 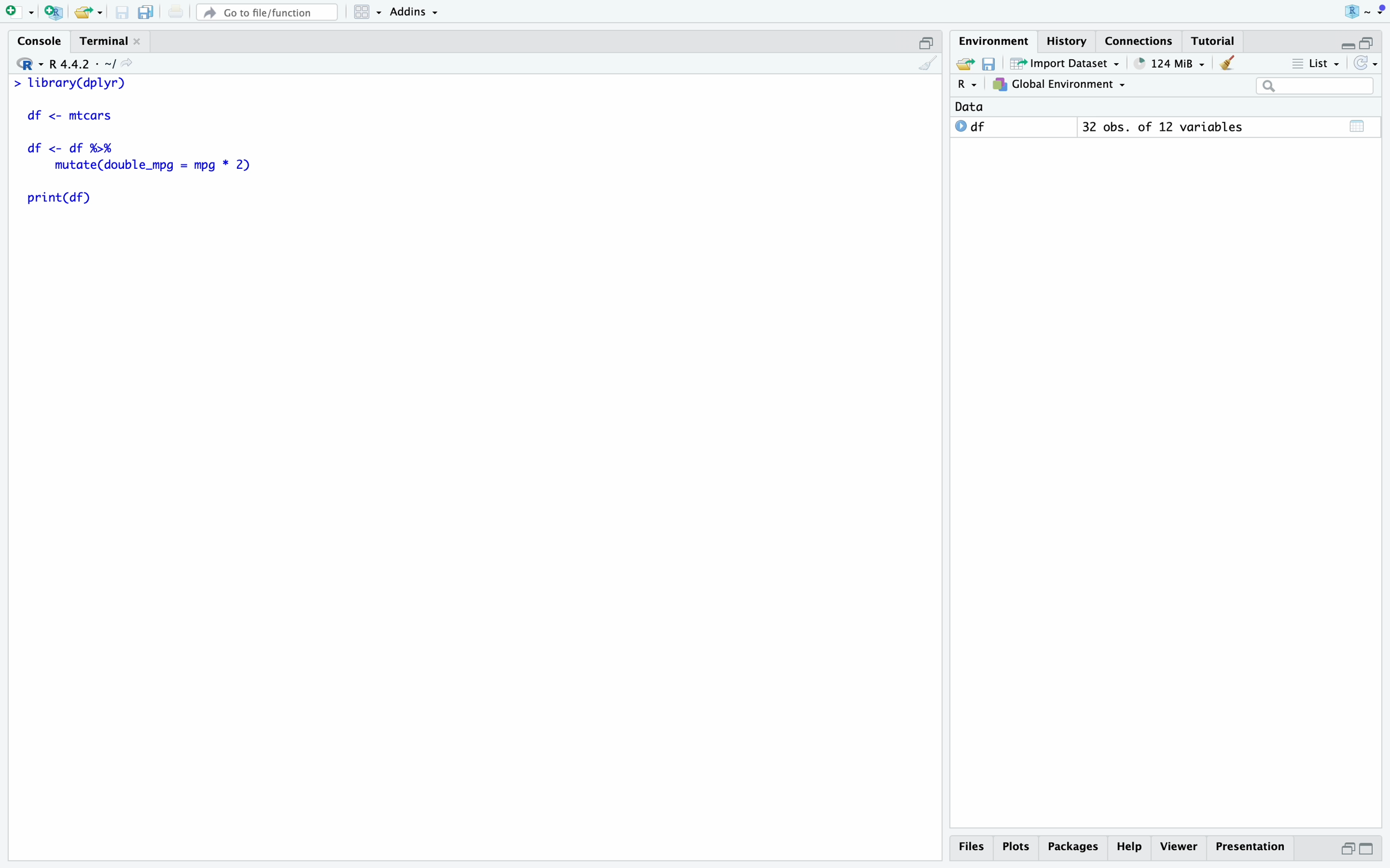 I want to click on viewer, so click(x=1179, y=847).